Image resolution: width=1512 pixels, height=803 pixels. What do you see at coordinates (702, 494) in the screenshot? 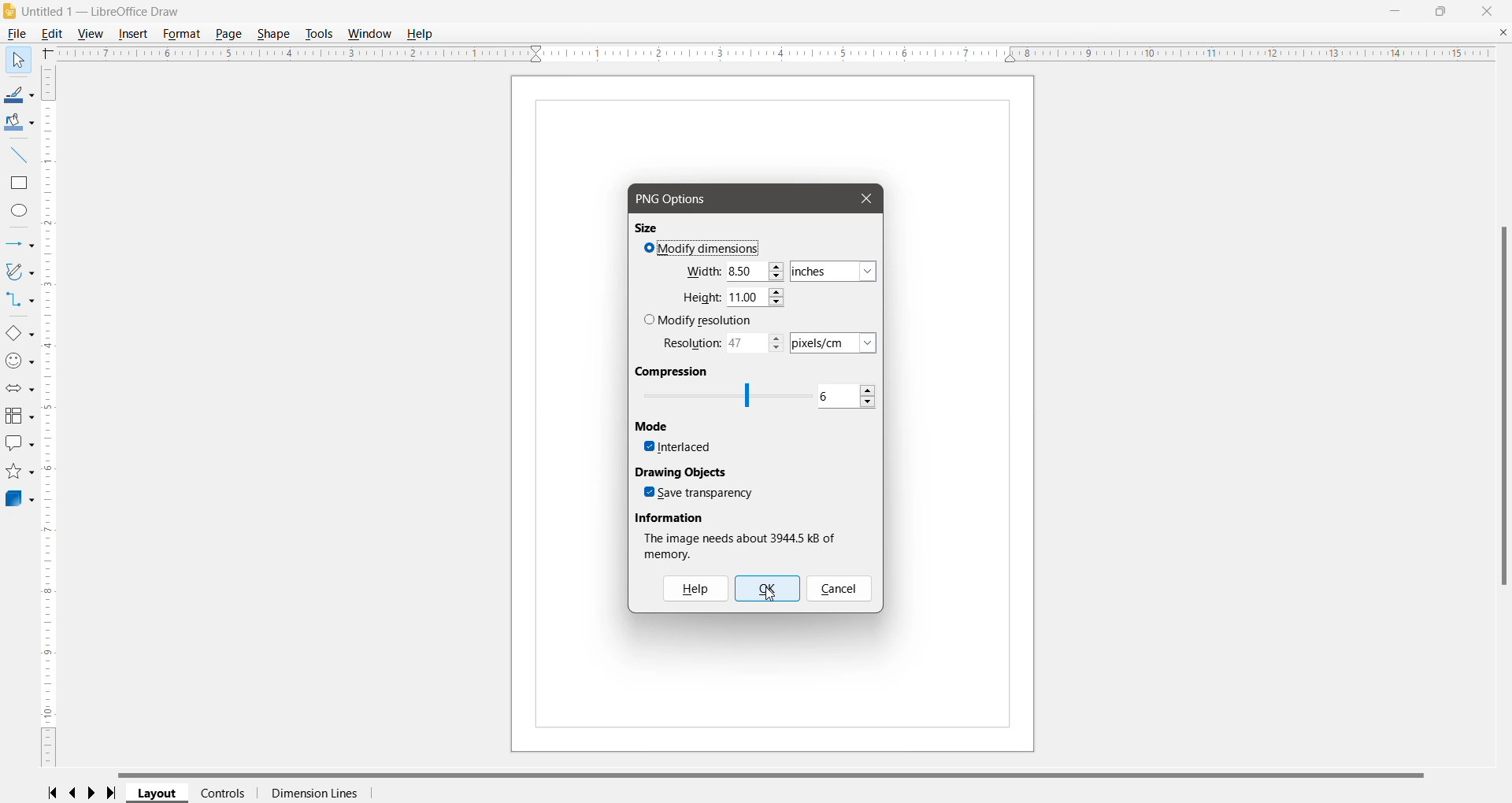
I see `Save transparency - click to enable/disable` at bounding box center [702, 494].